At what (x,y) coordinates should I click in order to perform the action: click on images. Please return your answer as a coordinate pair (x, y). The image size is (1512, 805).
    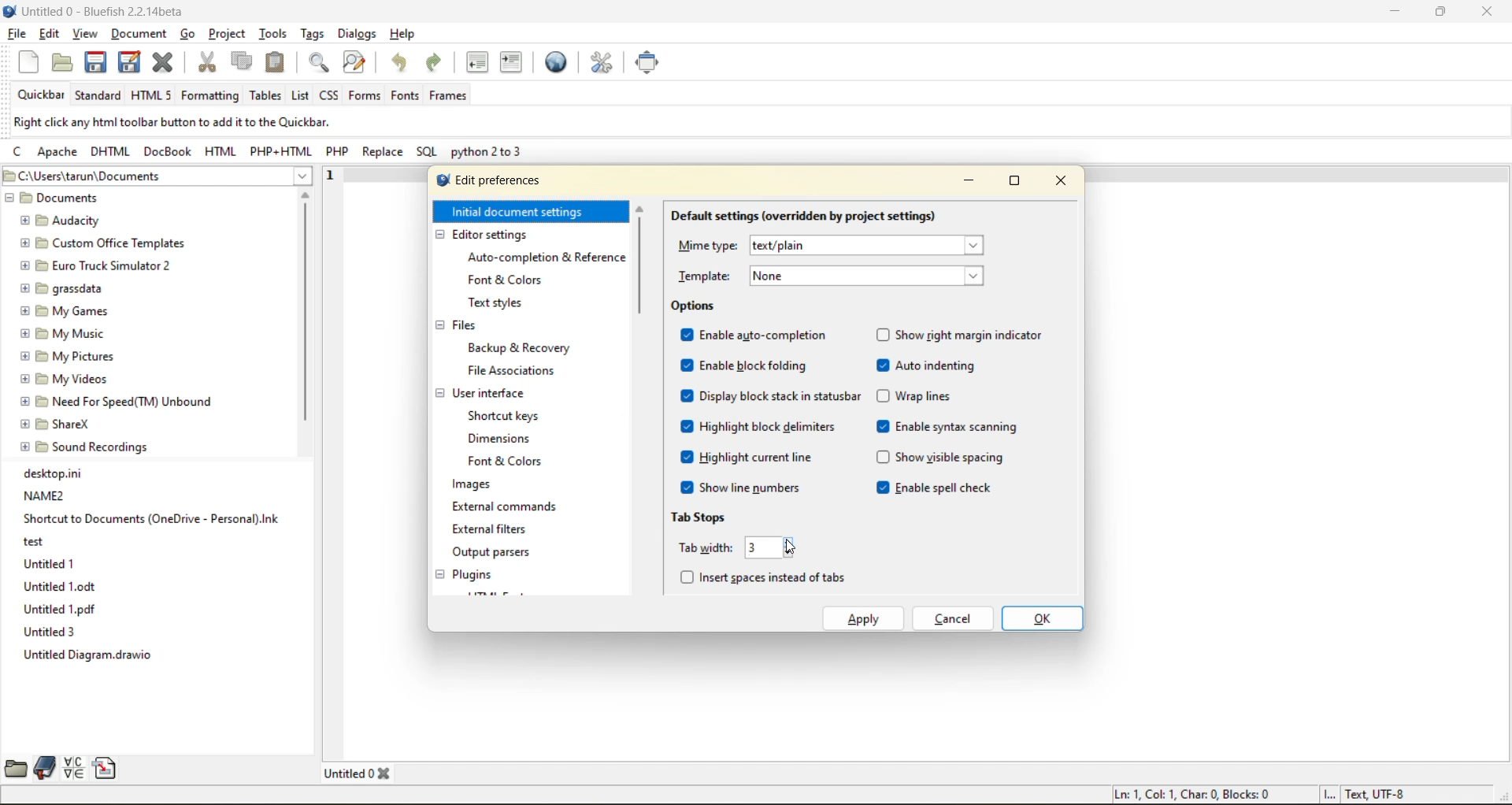
    Looking at the image, I should click on (472, 486).